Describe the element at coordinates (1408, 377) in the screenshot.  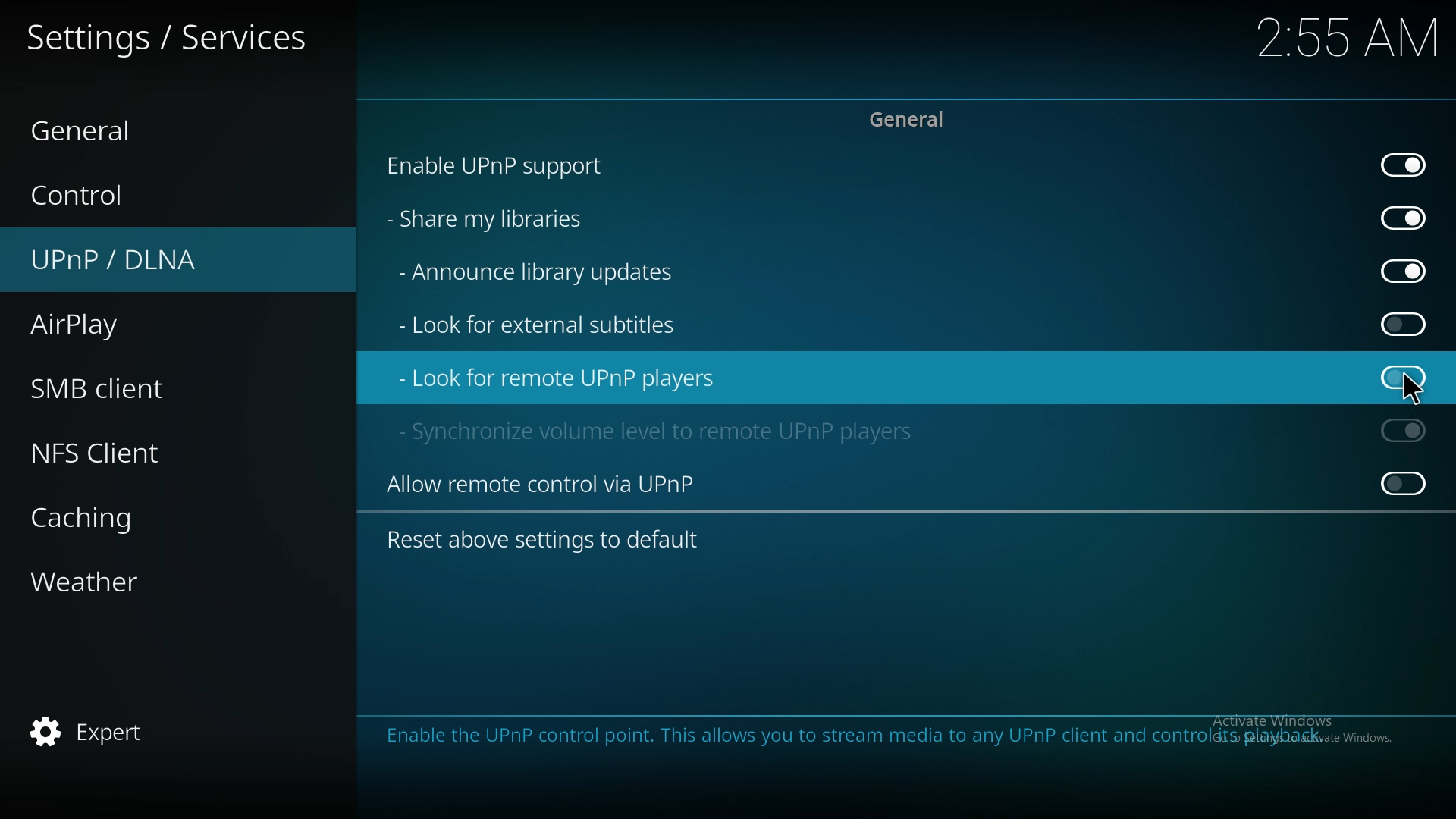
I see `off (Greyed out)` at that location.